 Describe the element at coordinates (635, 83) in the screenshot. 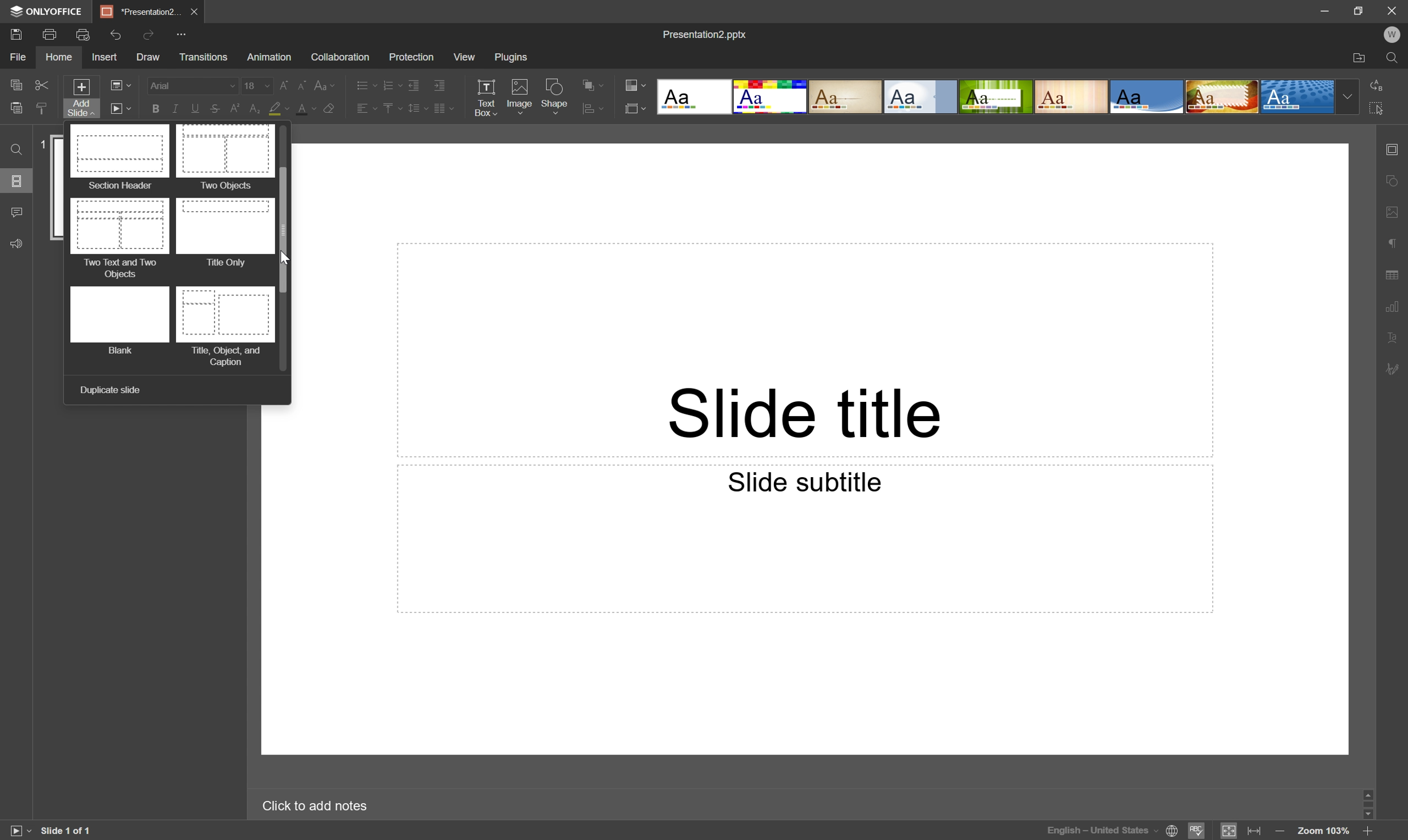

I see `Change color theme` at that location.